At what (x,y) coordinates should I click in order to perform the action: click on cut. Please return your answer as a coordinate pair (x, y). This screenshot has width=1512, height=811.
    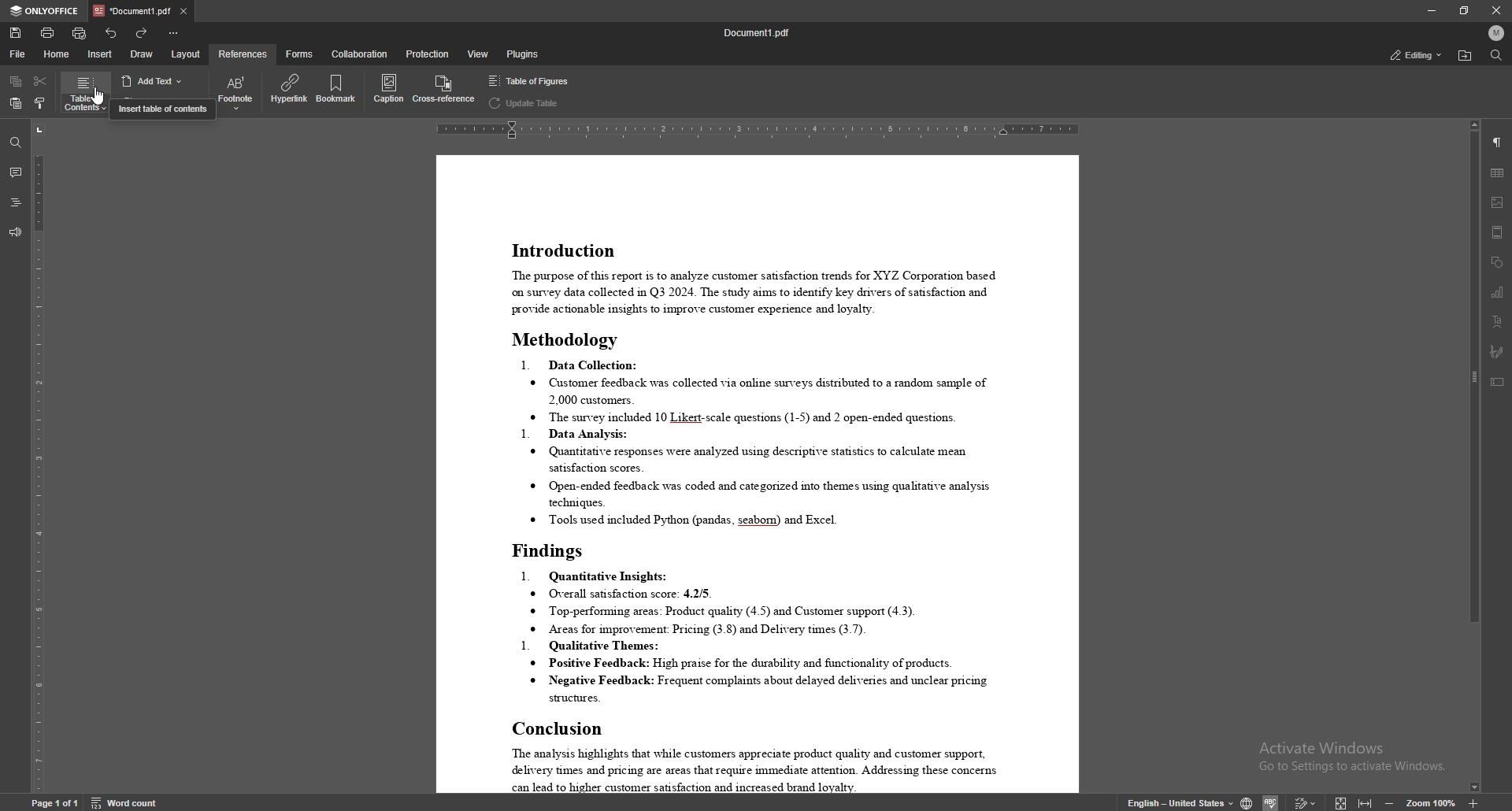
    Looking at the image, I should click on (42, 82).